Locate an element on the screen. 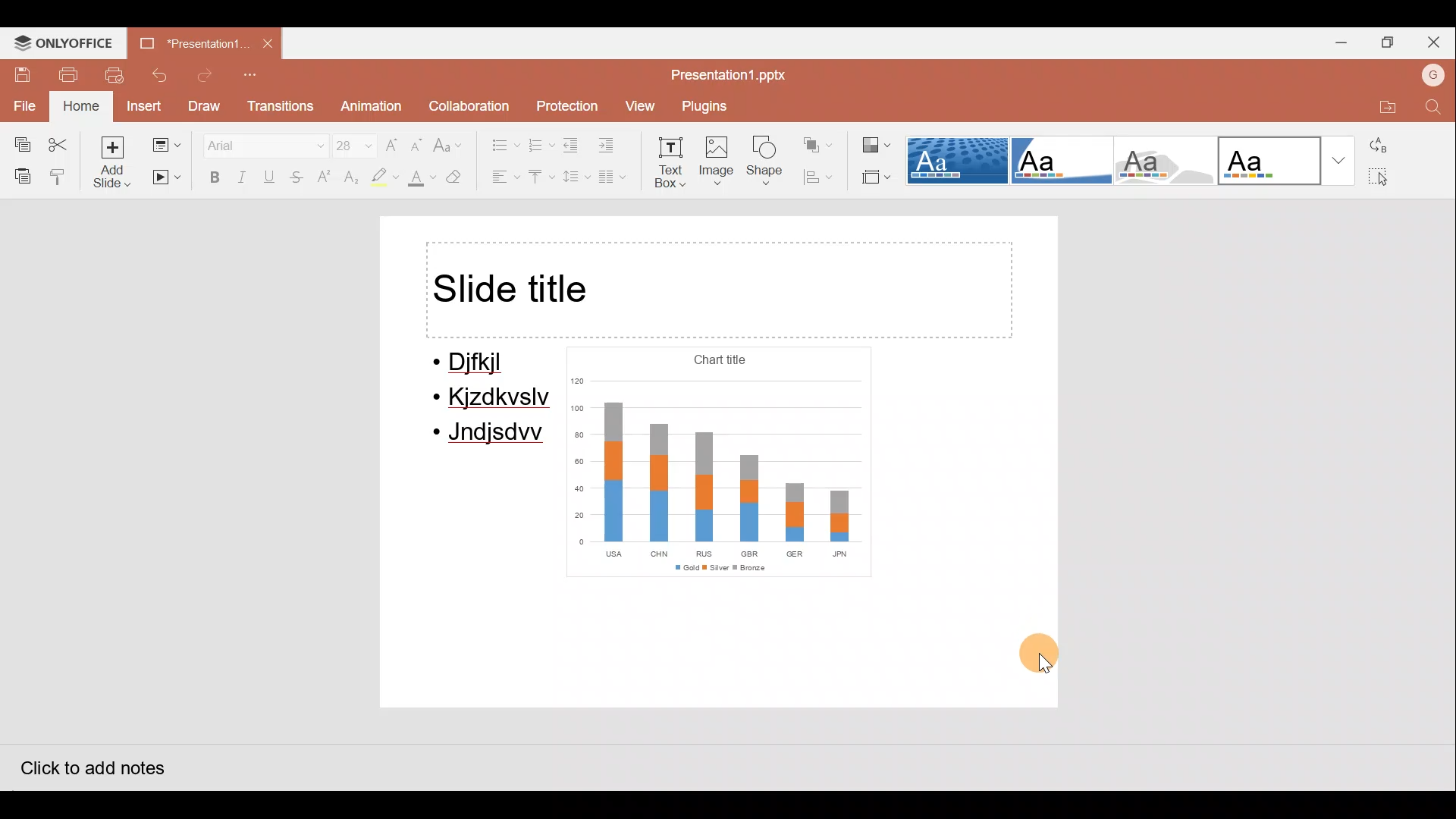  Insert is located at coordinates (140, 107).